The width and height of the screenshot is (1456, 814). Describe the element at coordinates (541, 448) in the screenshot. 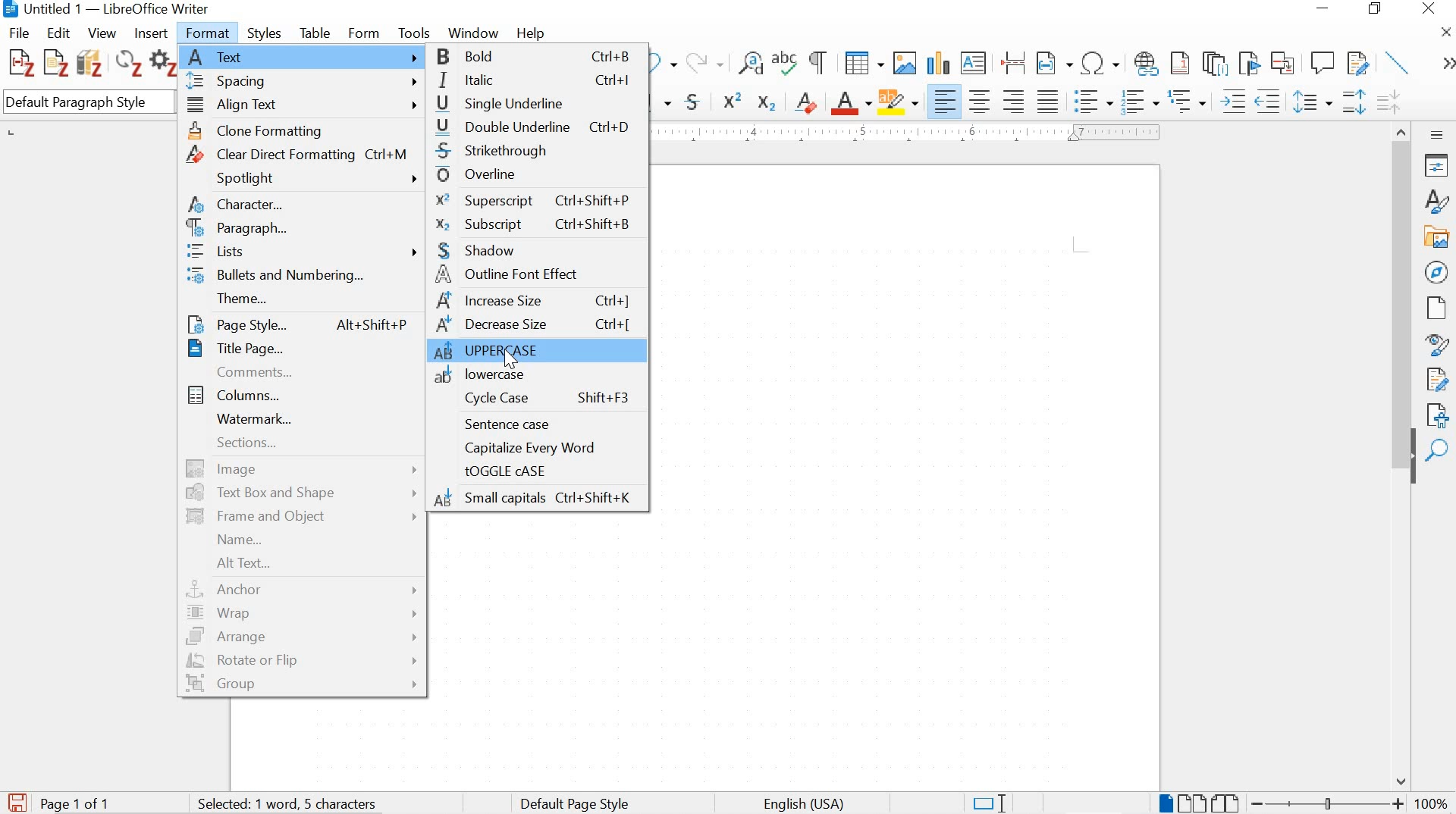

I see `capitalize every word` at that location.